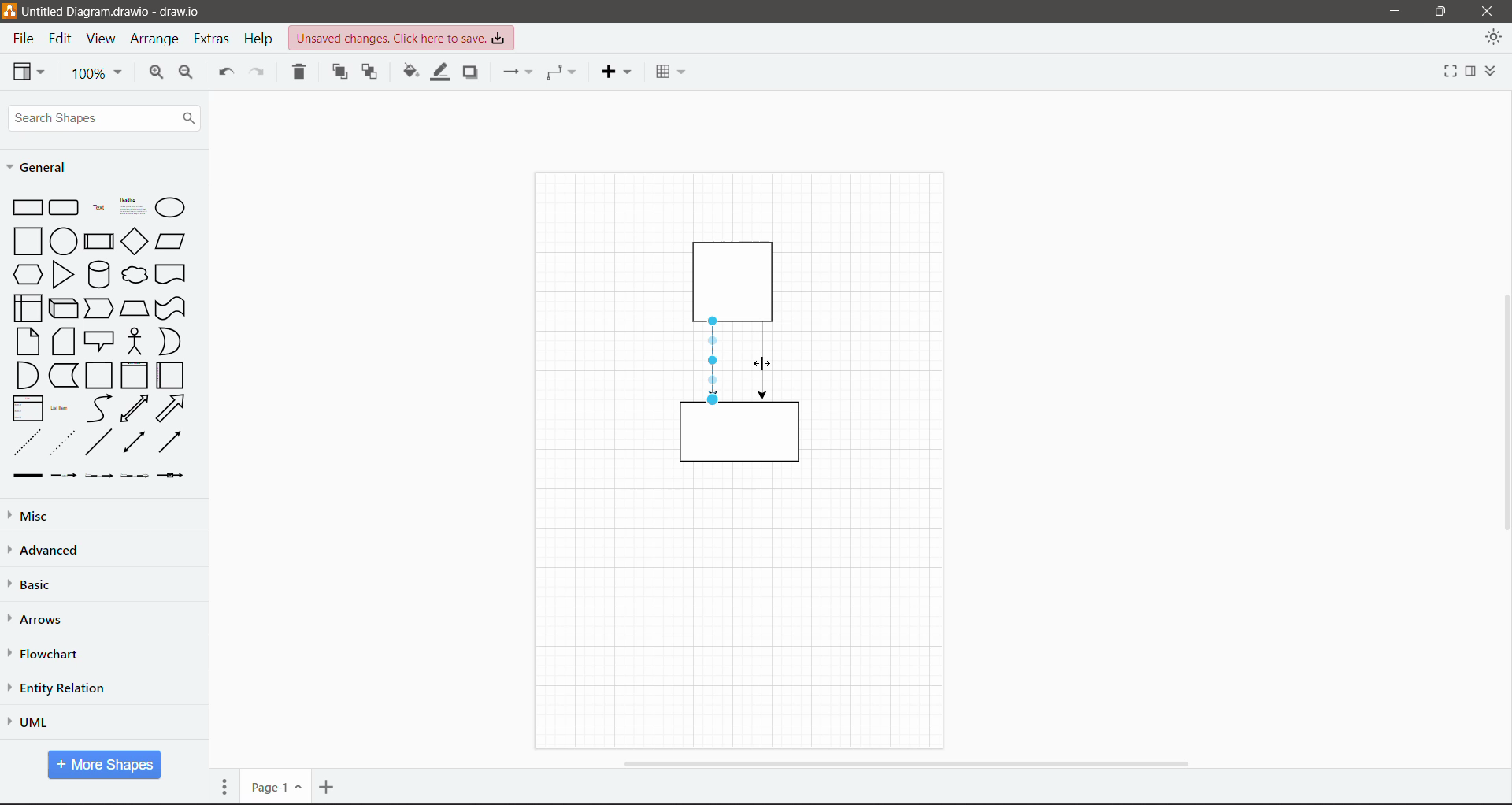  What do you see at coordinates (172, 408) in the screenshot?
I see `arrow` at bounding box center [172, 408].